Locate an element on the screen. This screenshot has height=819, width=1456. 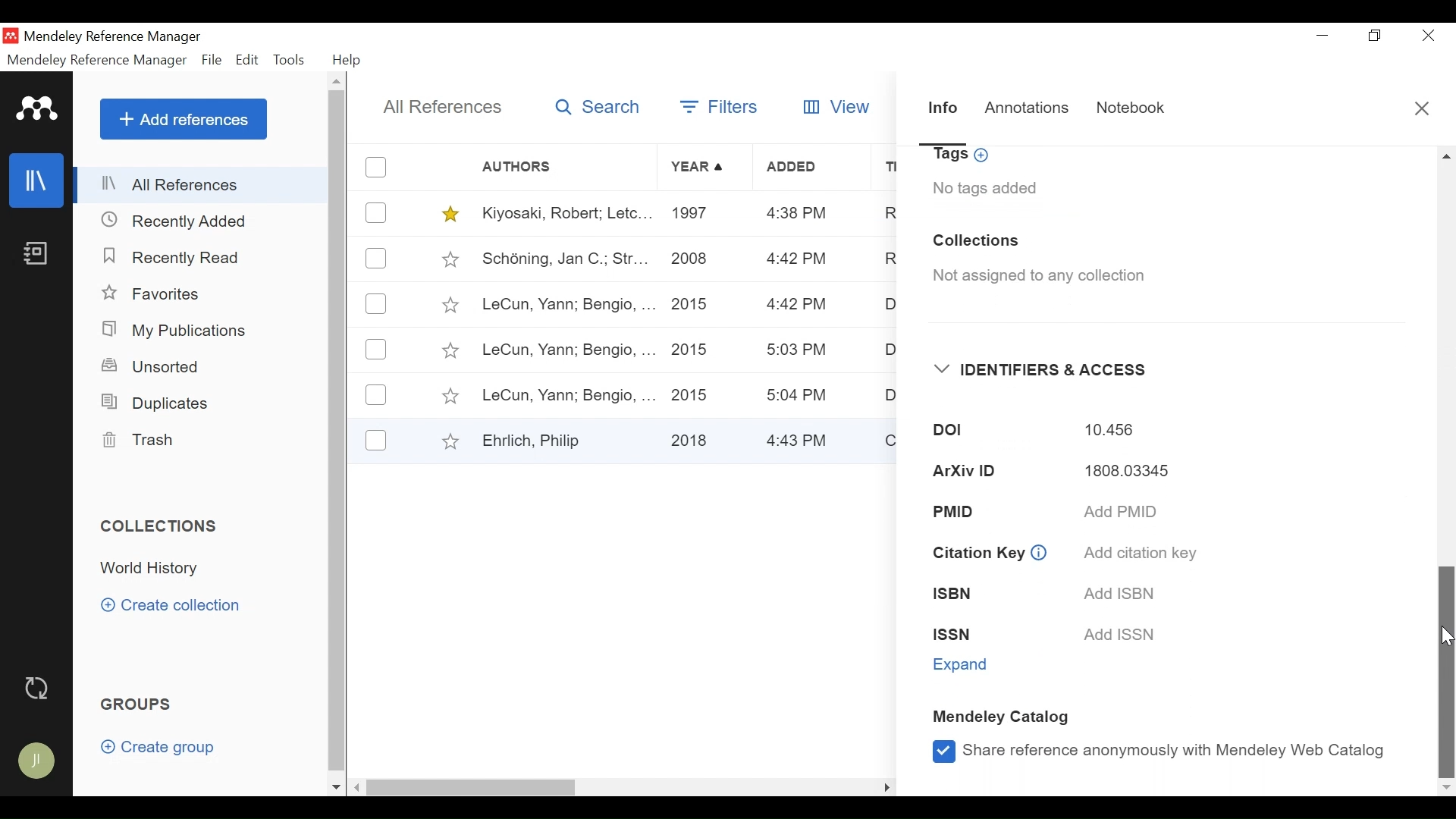
(un)select favorite is located at coordinates (449, 397).